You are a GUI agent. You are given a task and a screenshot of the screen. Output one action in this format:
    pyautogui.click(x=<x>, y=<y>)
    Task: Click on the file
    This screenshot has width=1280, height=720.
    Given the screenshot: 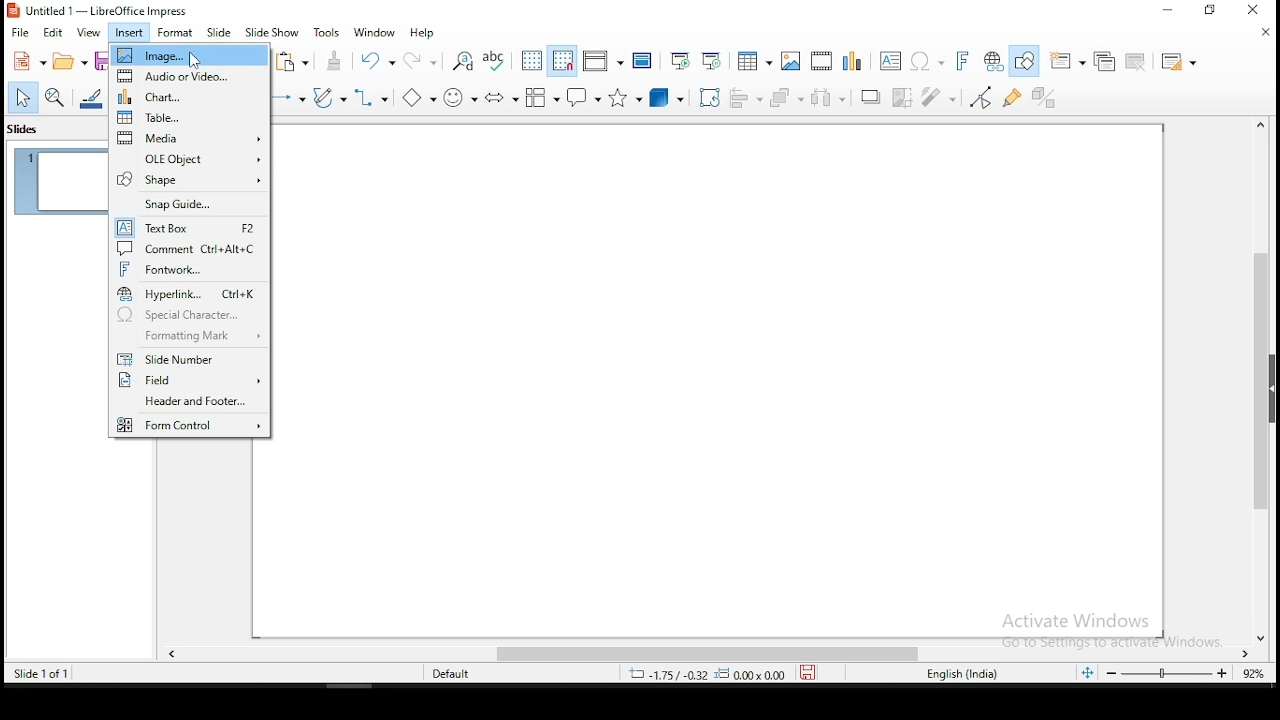 What is the action you would take?
    pyautogui.click(x=21, y=32)
    